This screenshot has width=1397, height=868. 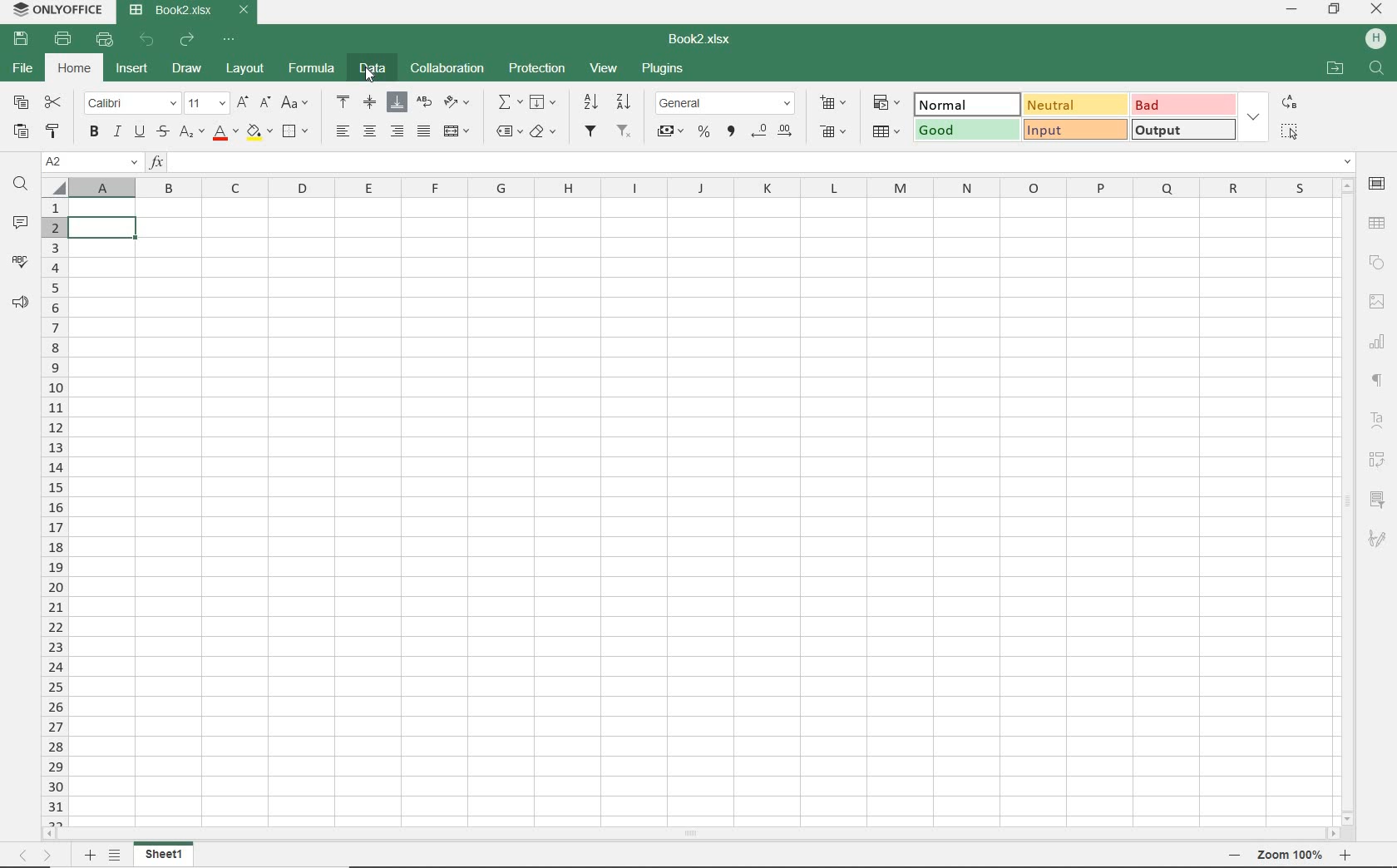 I want to click on CLOSE TAB, so click(x=243, y=11).